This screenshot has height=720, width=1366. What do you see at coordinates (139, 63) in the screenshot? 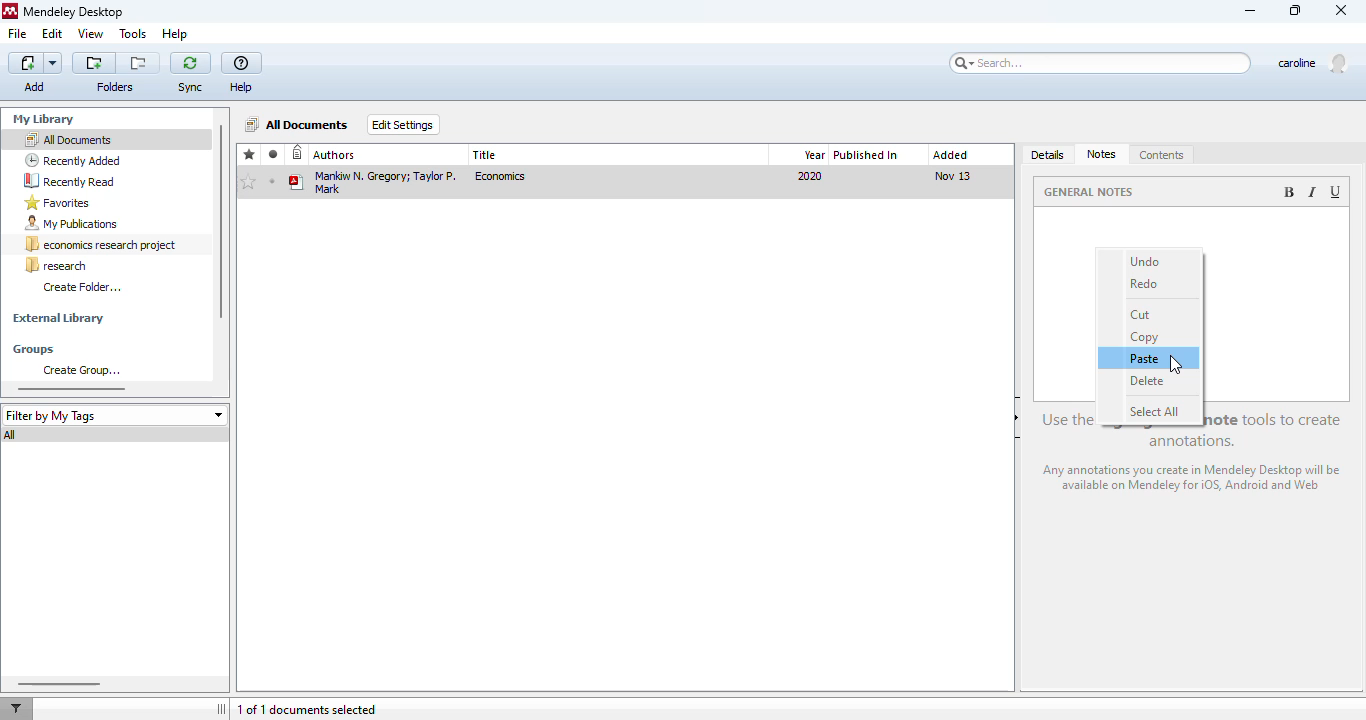
I see `remove the current folder` at bounding box center [139, 63].